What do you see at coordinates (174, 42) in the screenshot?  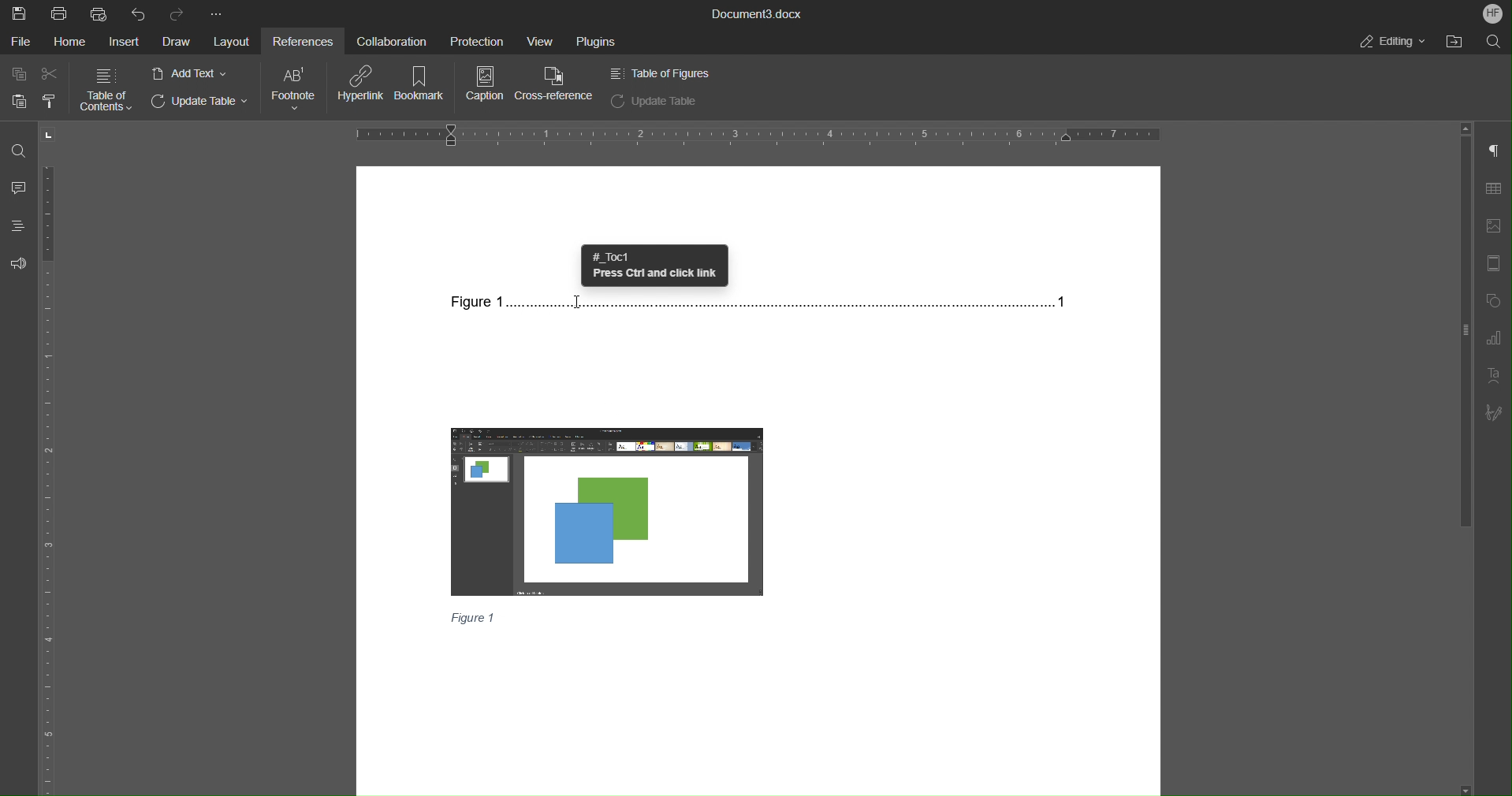 I see `Draw` at bounding box center [174, 42].